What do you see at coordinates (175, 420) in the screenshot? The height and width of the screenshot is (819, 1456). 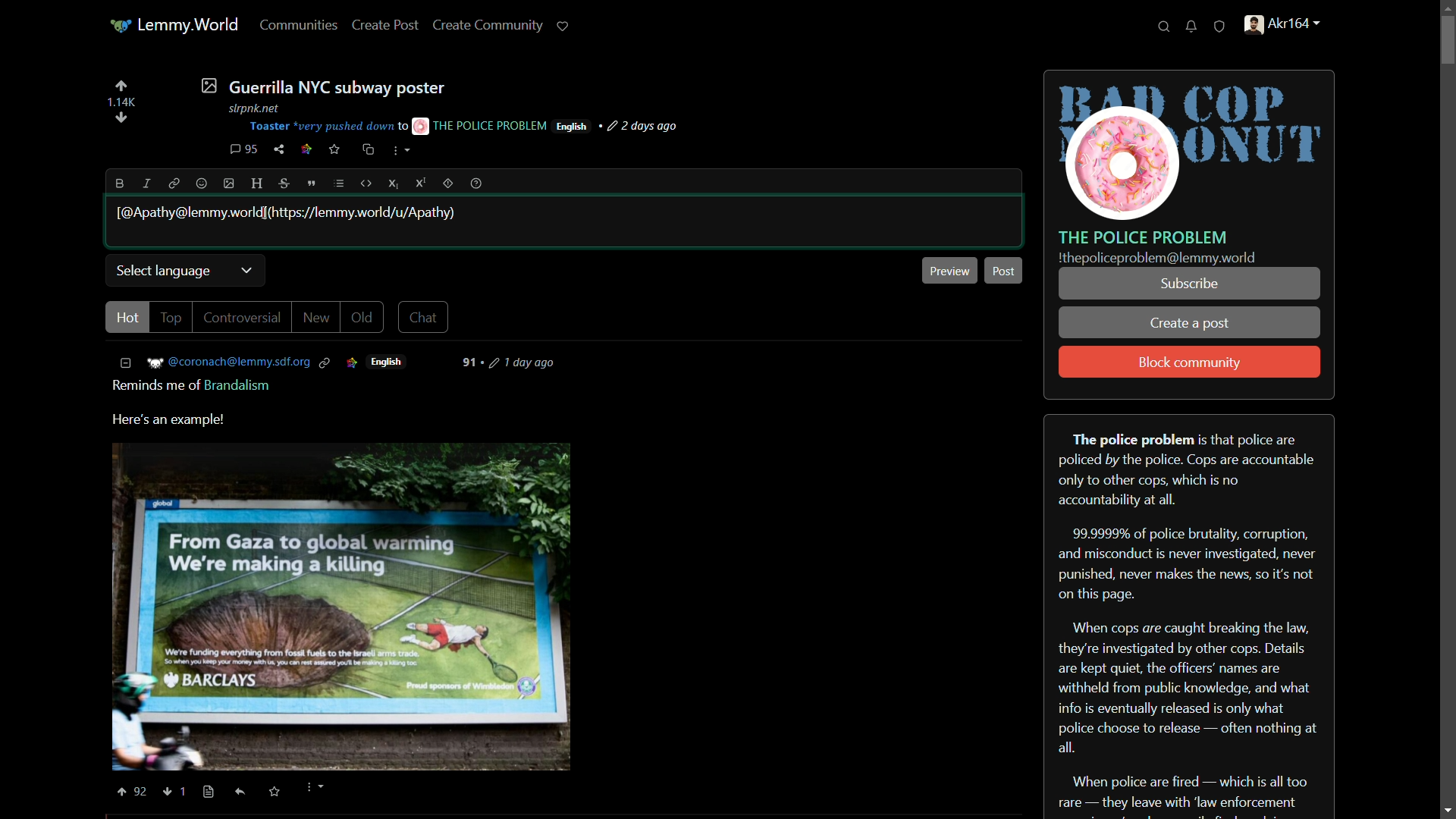 I see `Here's an example!` at bounding box center [175, 420].